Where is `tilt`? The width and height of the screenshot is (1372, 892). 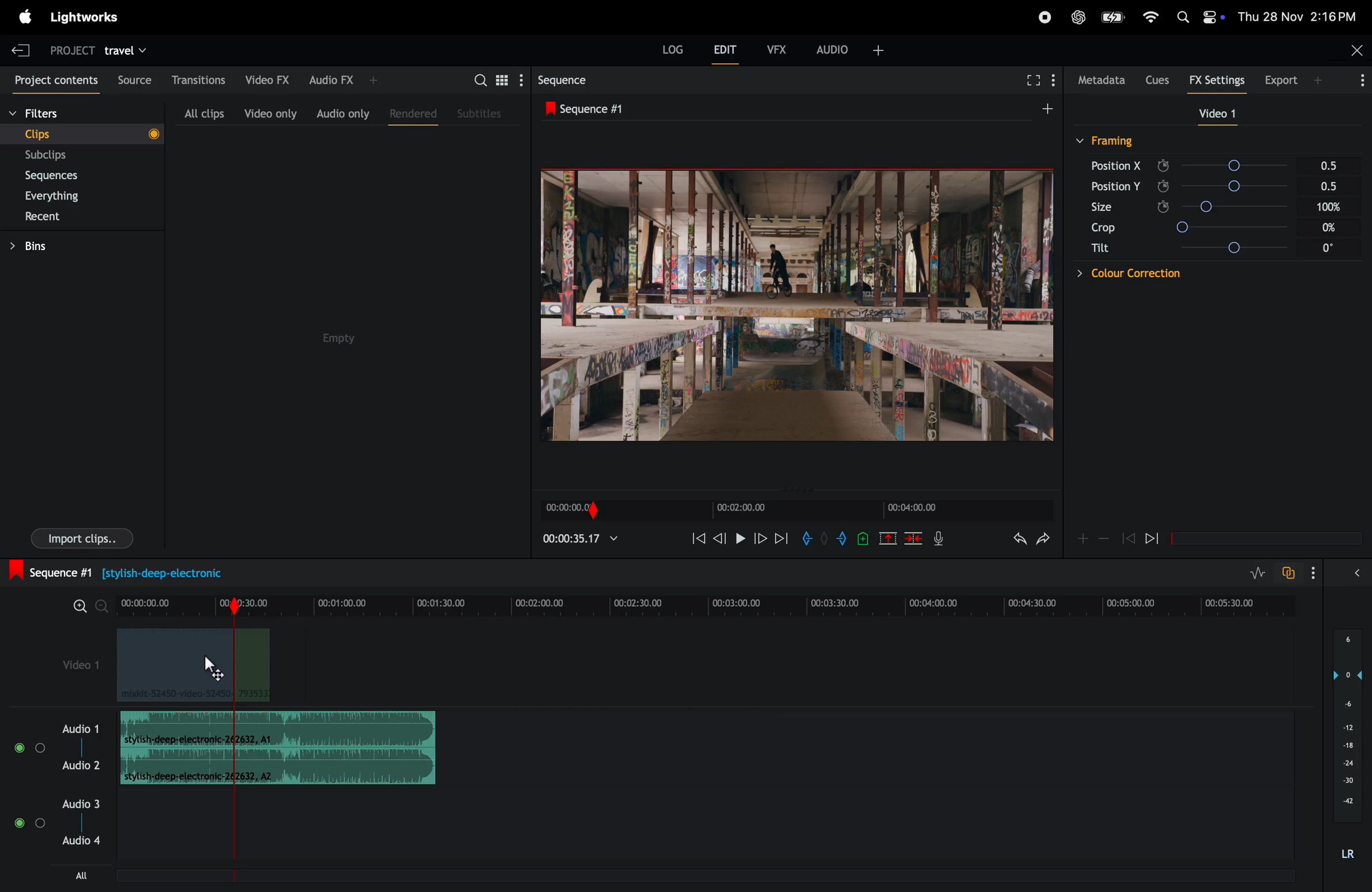 tilt is located at coordinates (1101, 251).